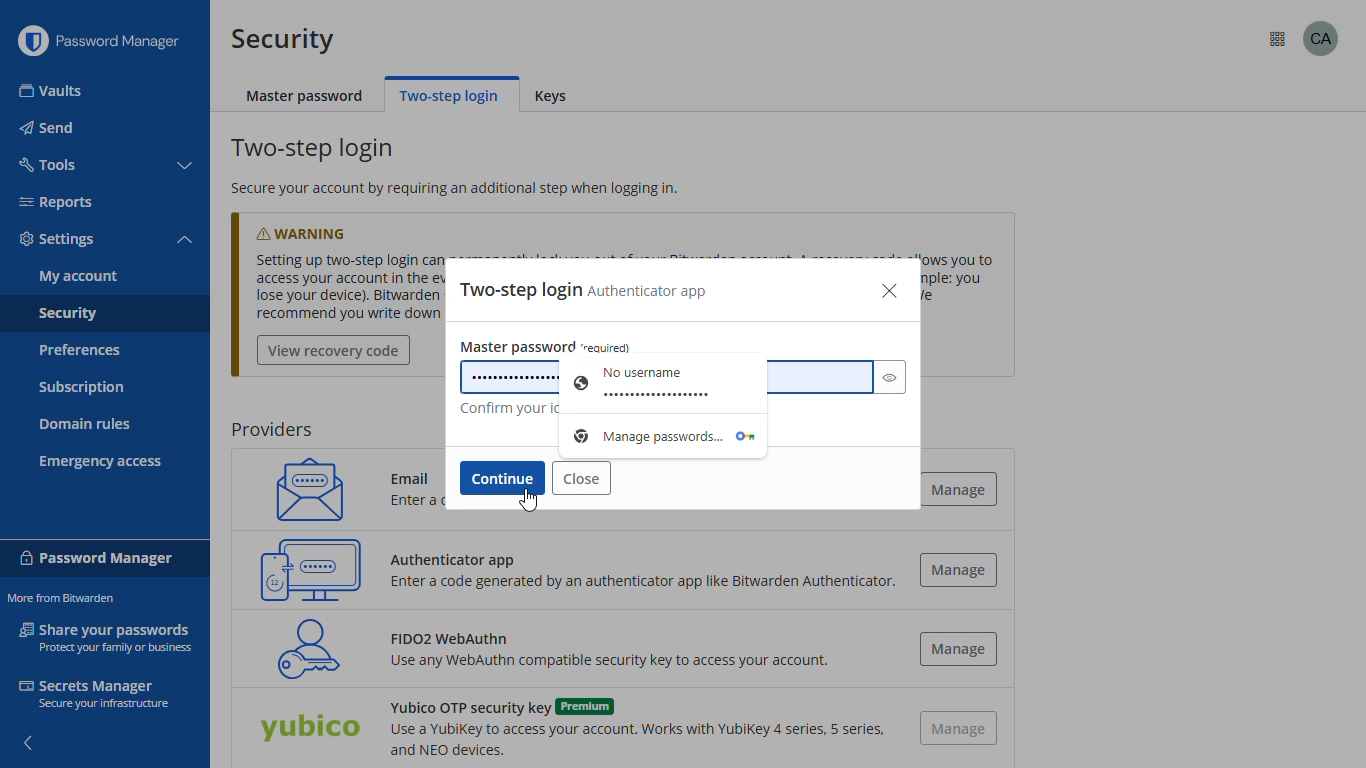 Image resolution: width=1366 pixels, height=768 pixels. What do you see at coordinates (185, 241) in the screenshot?
I see `toggle collapse` at bounding box center [185, 241].